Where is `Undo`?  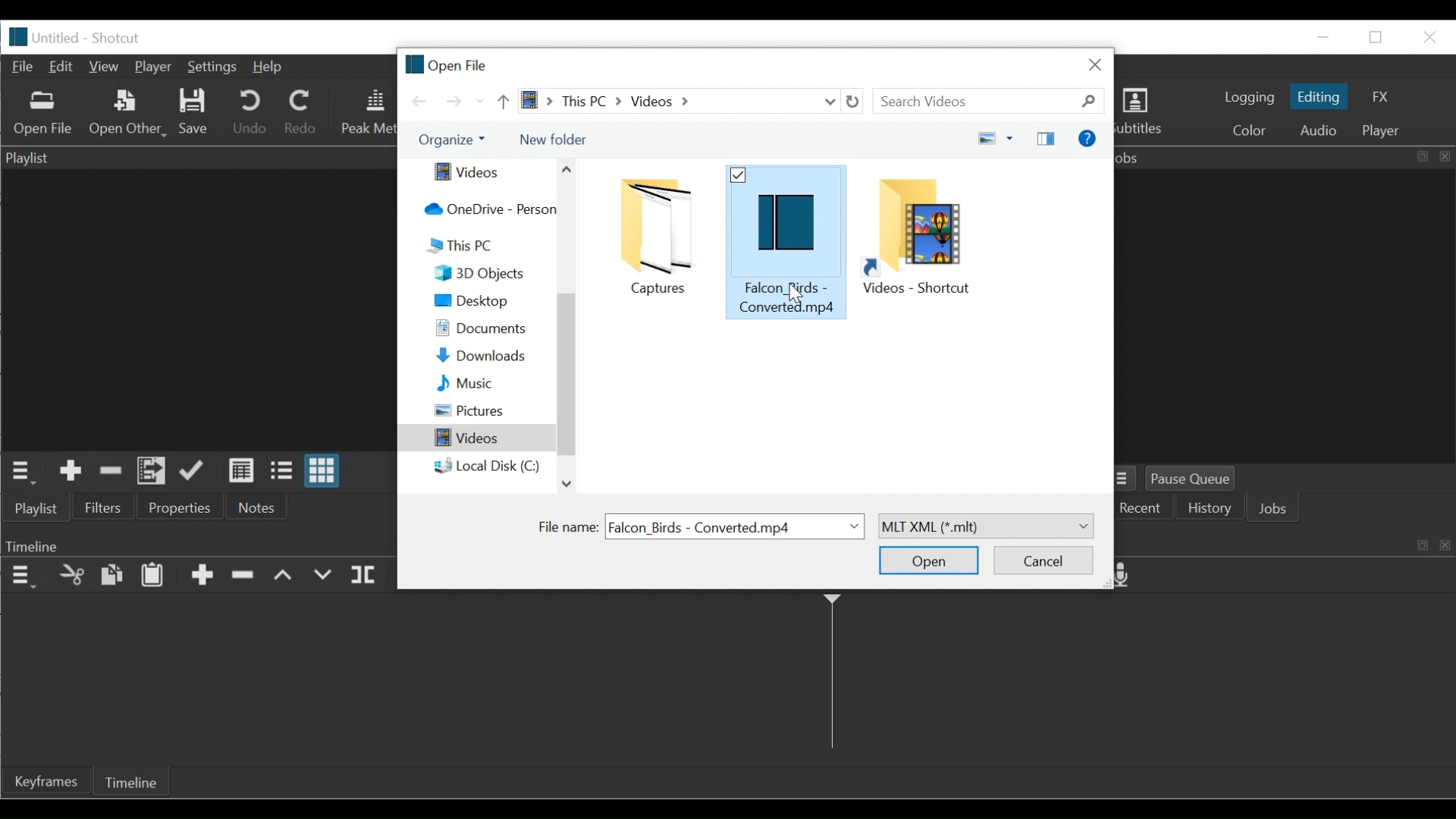 Undo is located at coordinates (249, 112).